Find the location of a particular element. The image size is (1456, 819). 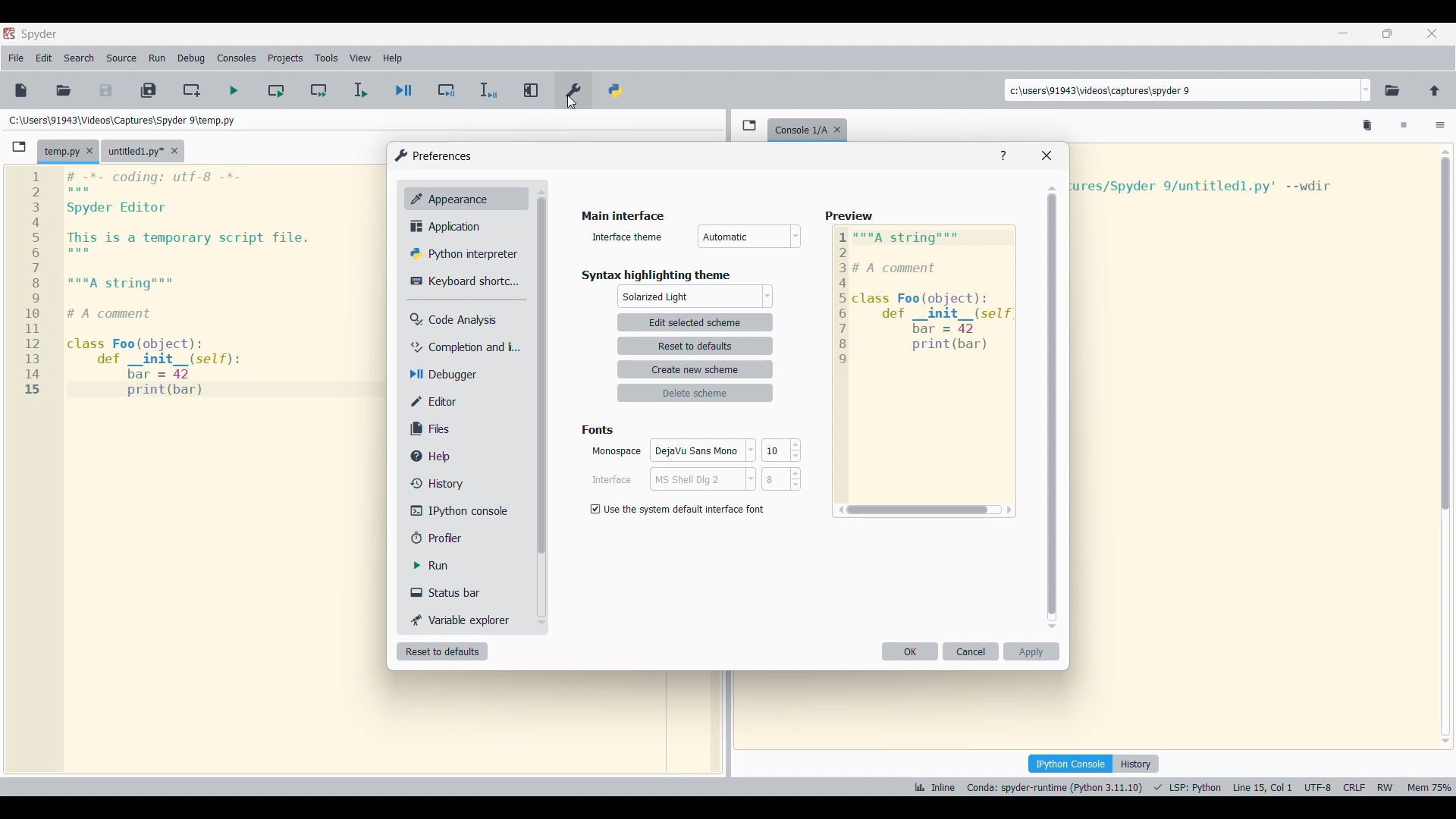

Editor is located at coordinates (467, 401).